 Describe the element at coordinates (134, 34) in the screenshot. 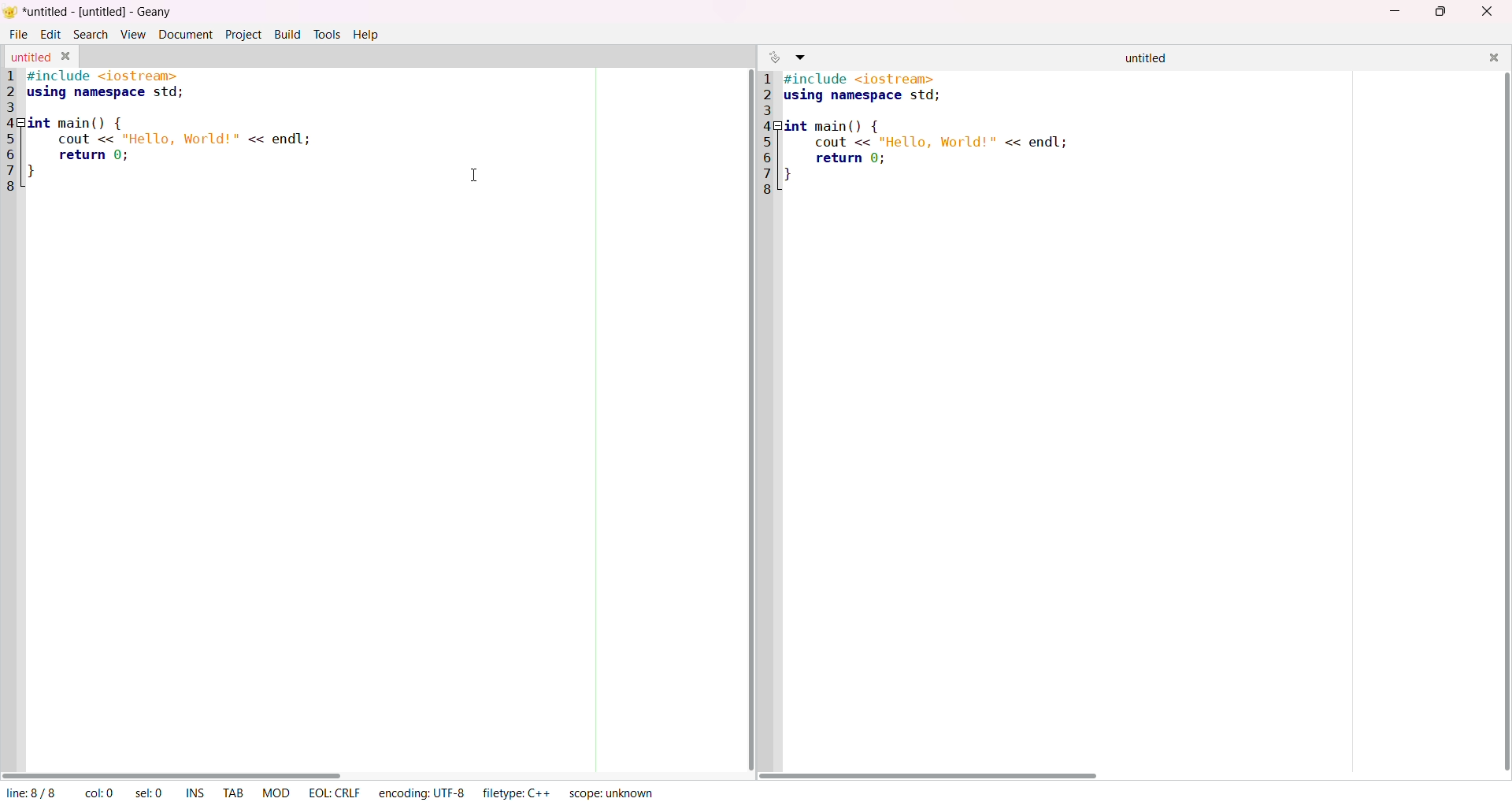

I see `View` at that location.